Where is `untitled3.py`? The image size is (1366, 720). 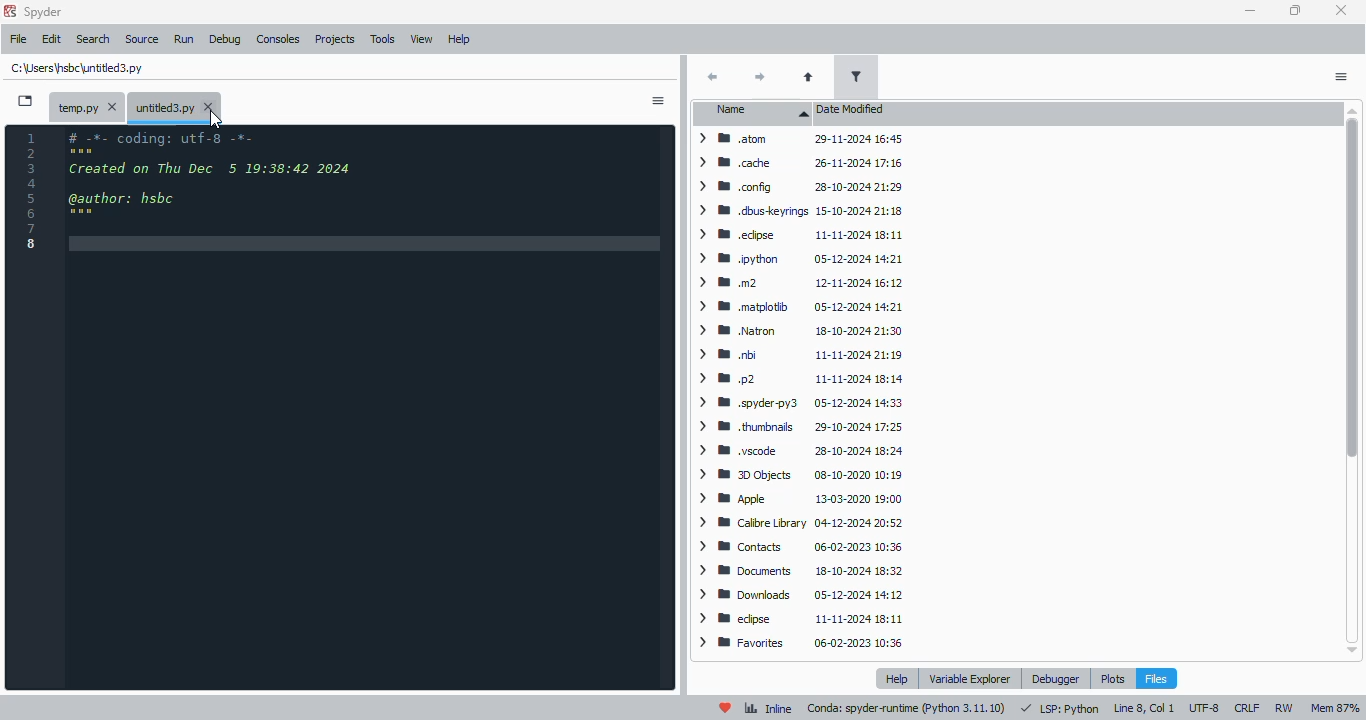
untitled3.py is located at coordinates (166, 107).